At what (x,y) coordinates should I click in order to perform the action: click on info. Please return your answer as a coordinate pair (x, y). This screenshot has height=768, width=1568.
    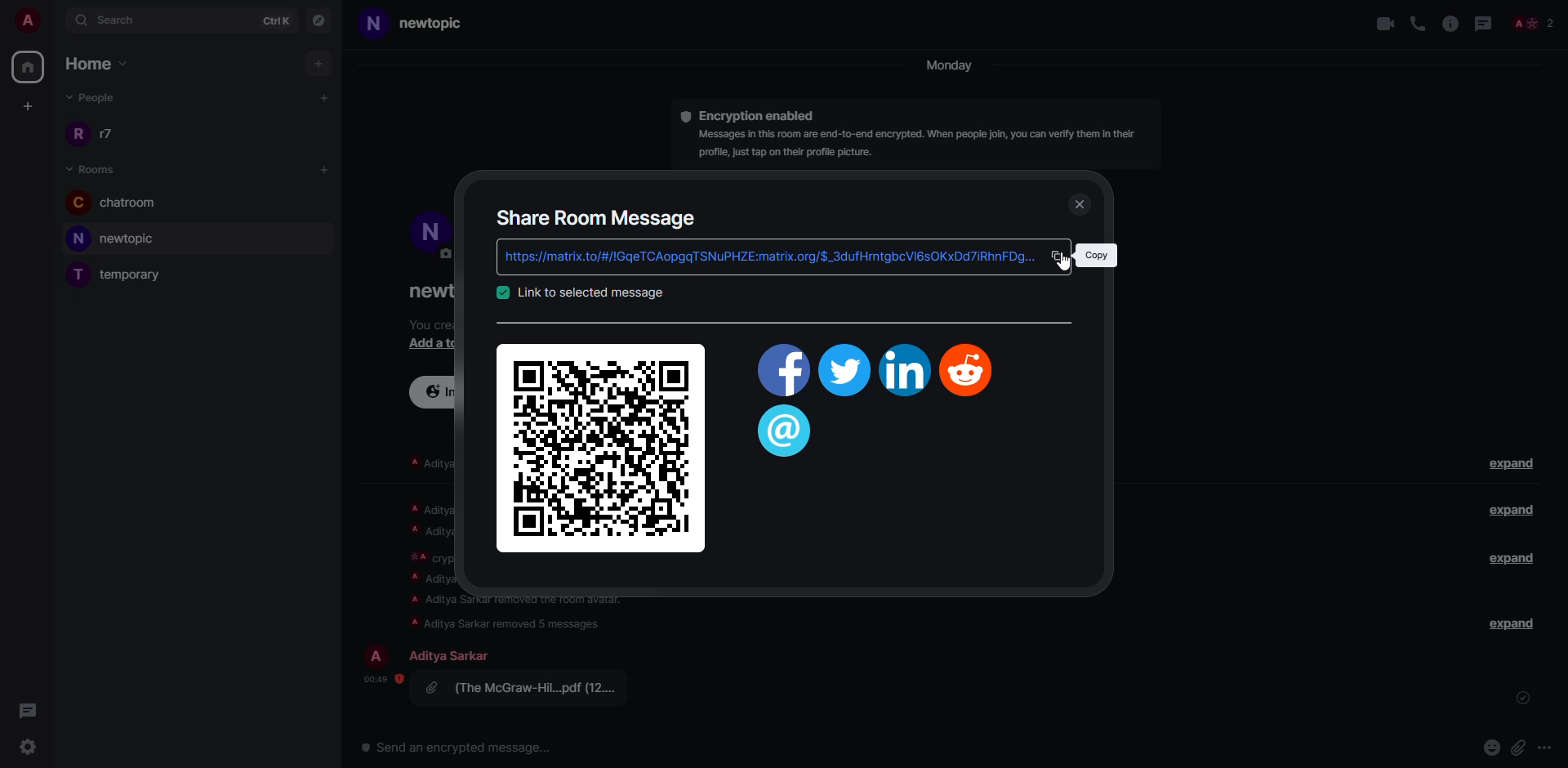
    Looking at the image, I should click on (1450, 23).